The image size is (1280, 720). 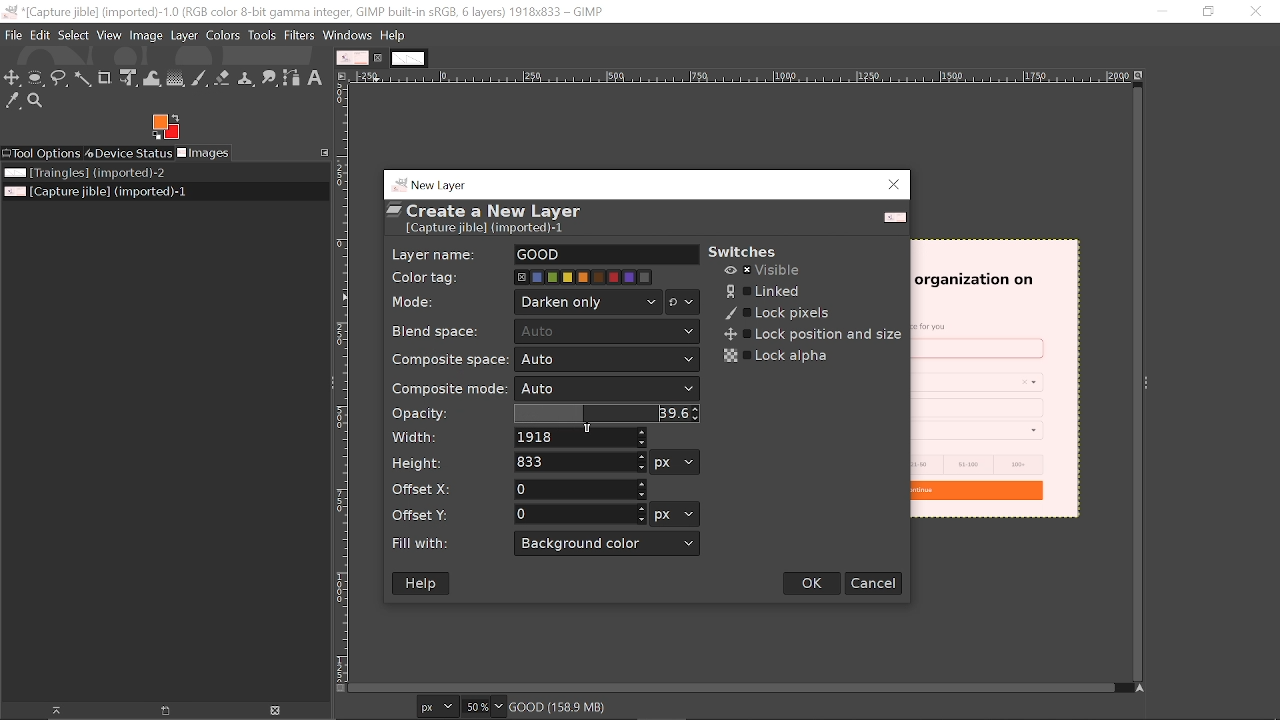 What do you see at coordinates (579, 488) in the screenshot?
I see `offset X` at bounding box center [579, 488].